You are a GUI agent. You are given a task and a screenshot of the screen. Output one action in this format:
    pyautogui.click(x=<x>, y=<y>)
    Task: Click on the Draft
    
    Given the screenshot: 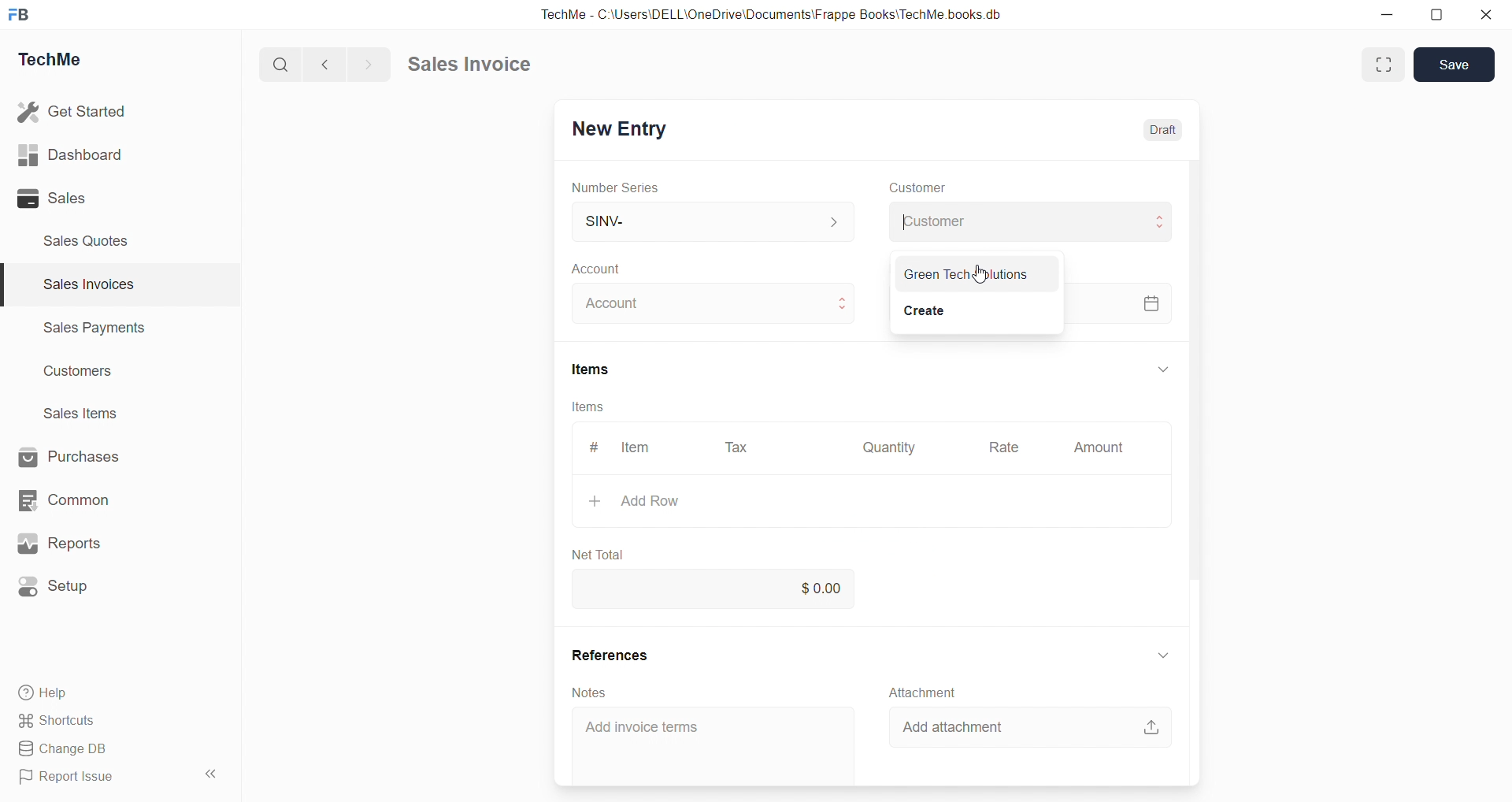 What is the action you would take?
    pyautogui.click(x=1162, y=131)
    